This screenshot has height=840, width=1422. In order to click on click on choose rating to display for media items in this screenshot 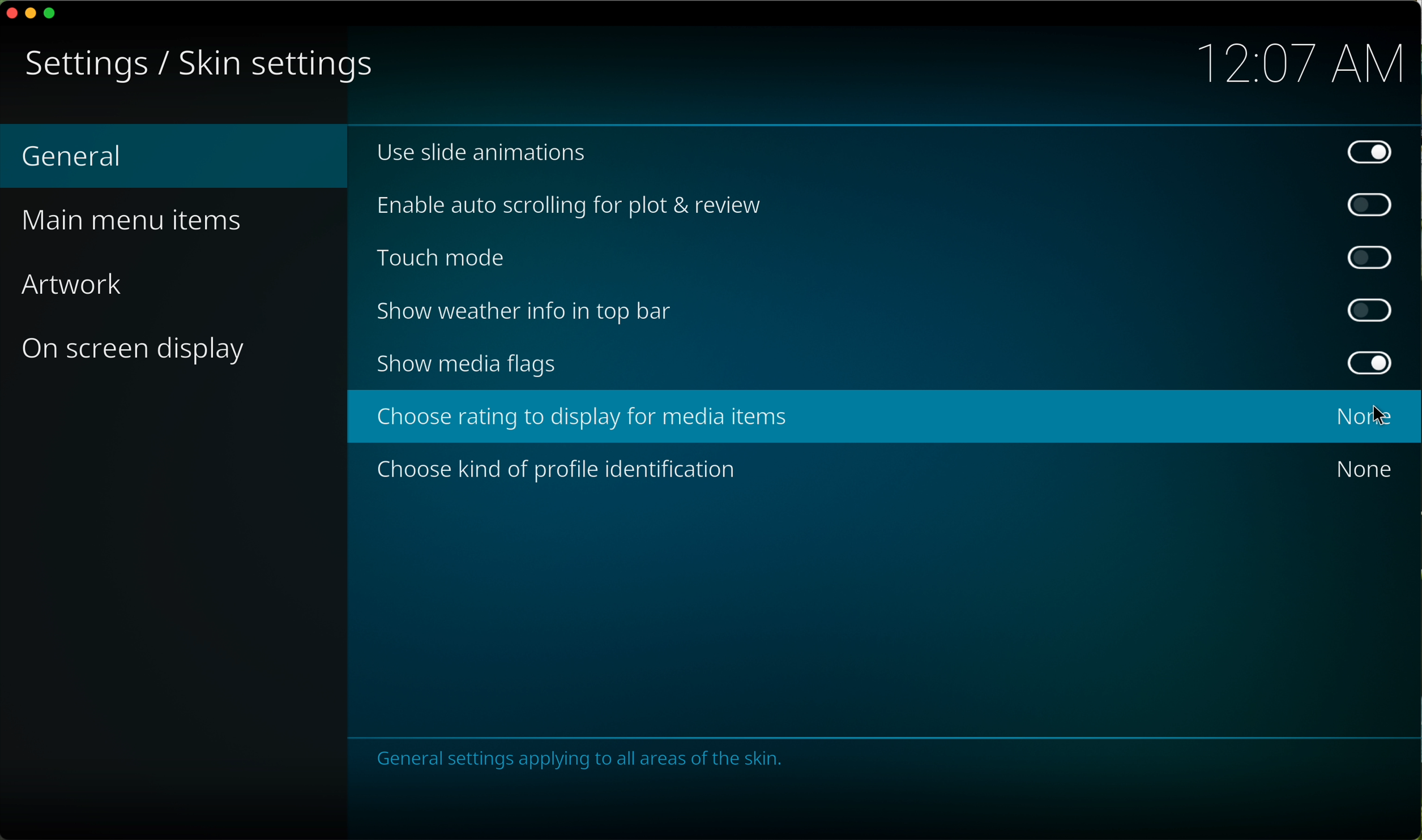, I will do `click(883, 417)`.